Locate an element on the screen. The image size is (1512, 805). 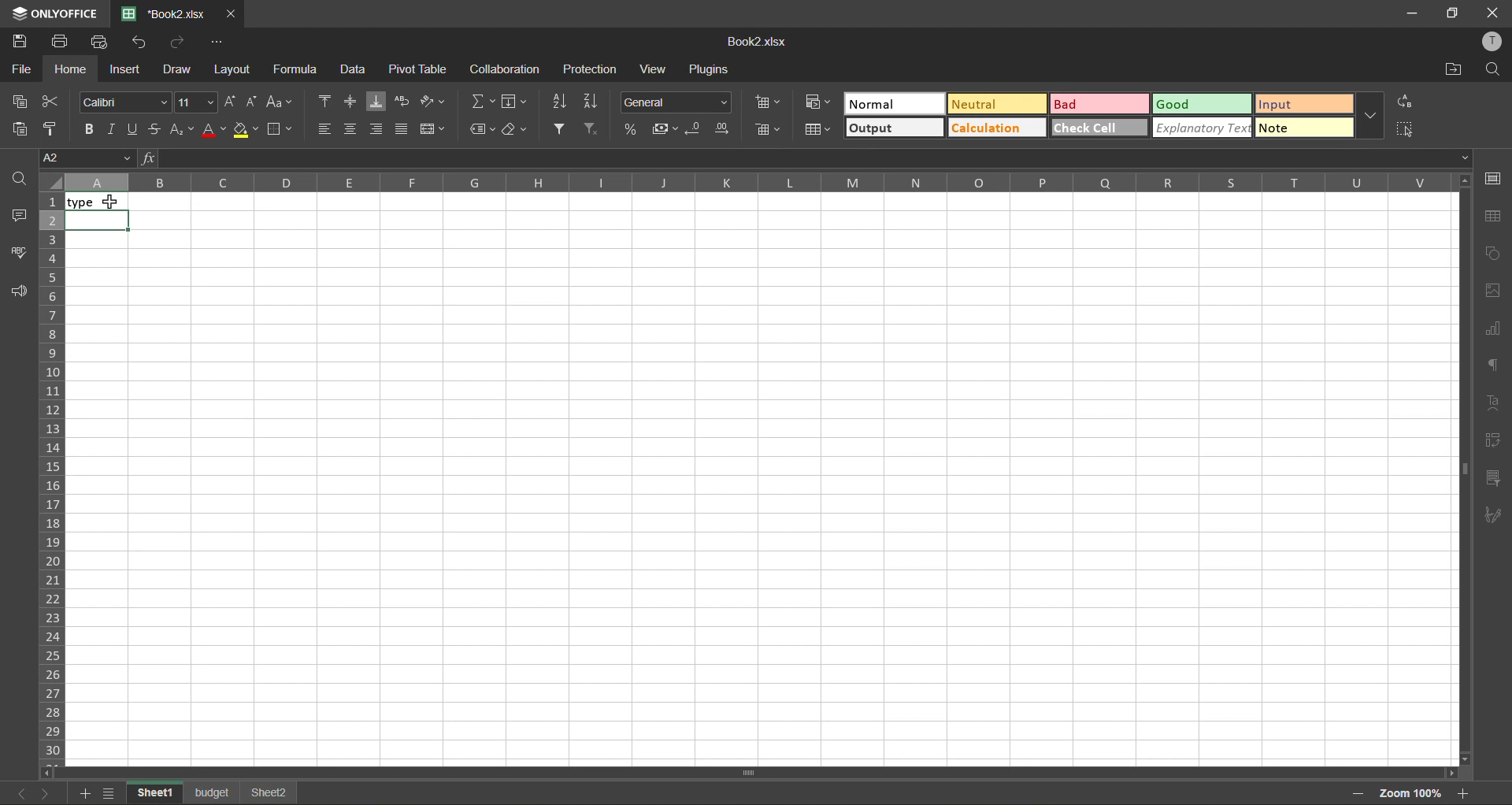
good is located at coordinates (1200, 103).